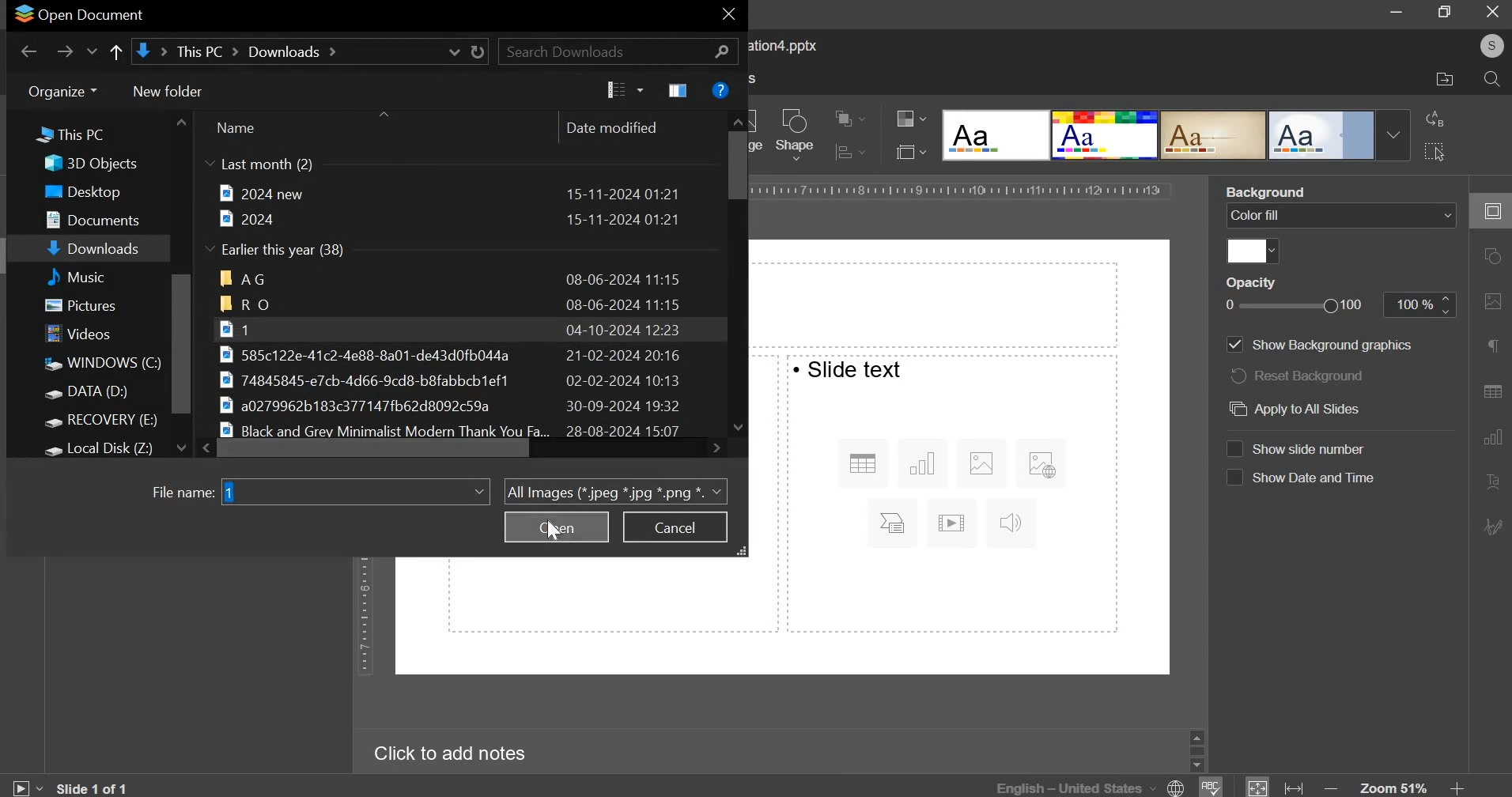 This screenshot has width=1512, height=797. I want to click on show date and time, so click(1316, 478).